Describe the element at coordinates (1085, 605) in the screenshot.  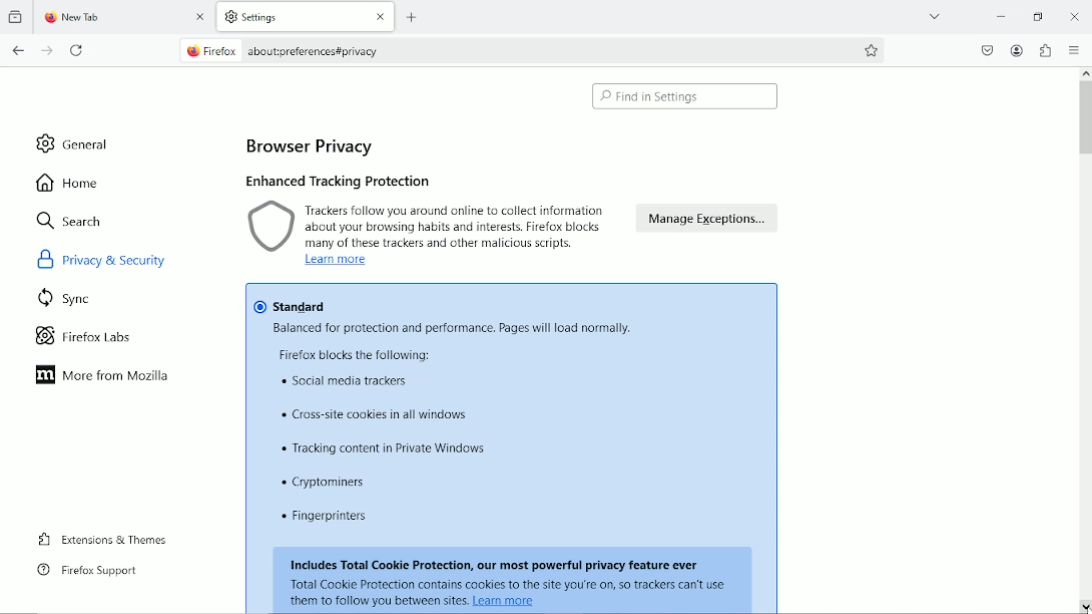
I see `scroll down` at that location.